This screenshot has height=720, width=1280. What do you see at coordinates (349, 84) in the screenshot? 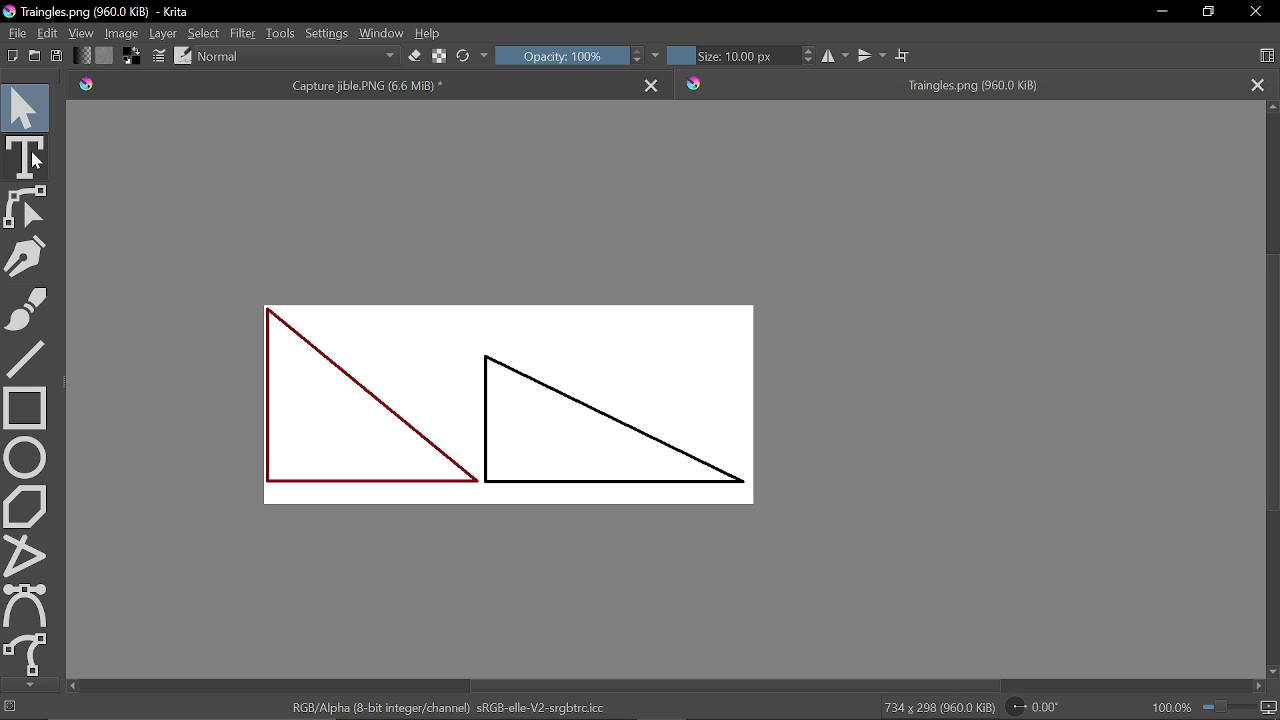
I see `Current tab` at bounding box center [349, 84].